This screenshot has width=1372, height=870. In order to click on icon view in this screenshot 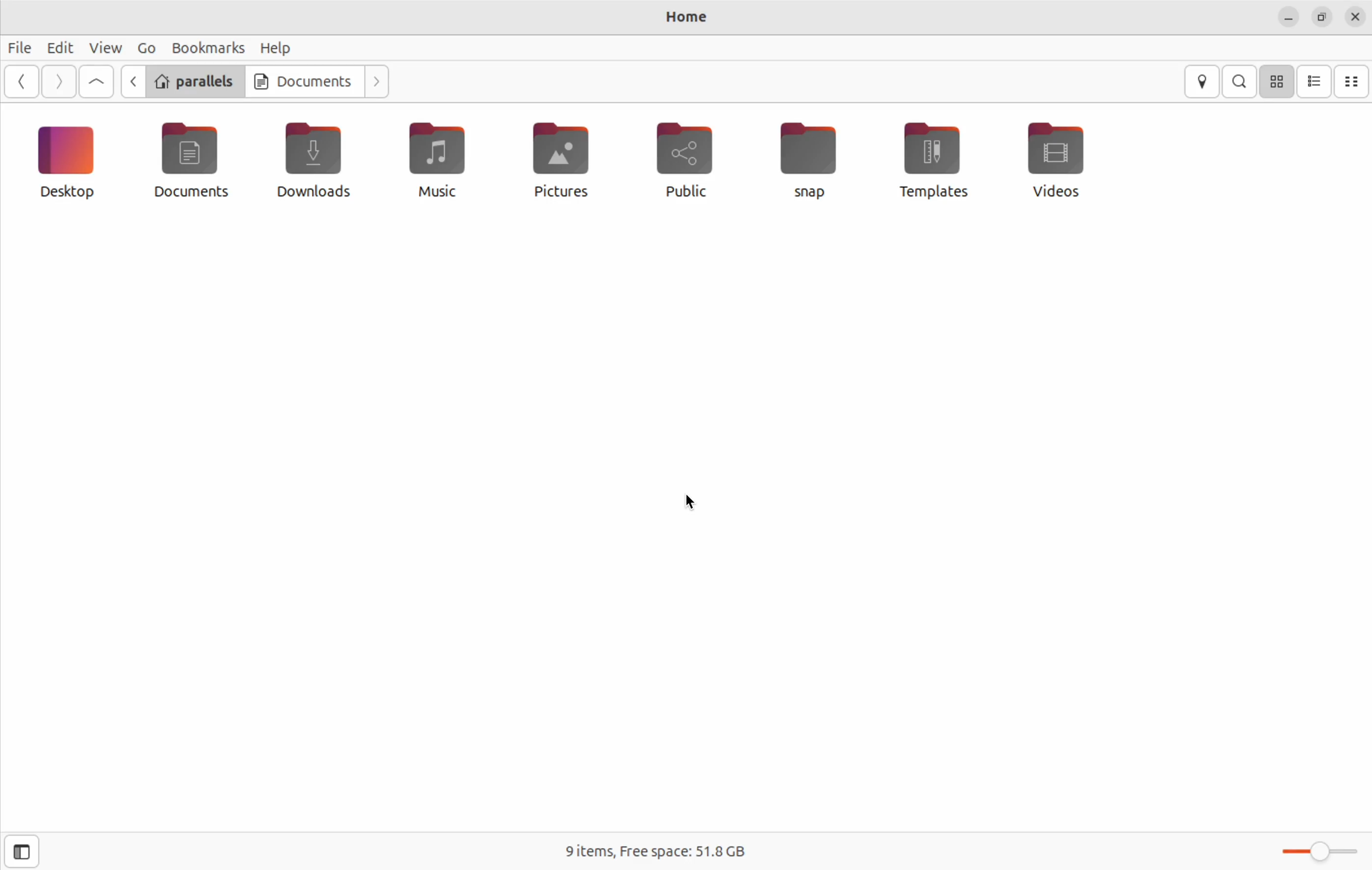, I will do `click(1279, 82)`.